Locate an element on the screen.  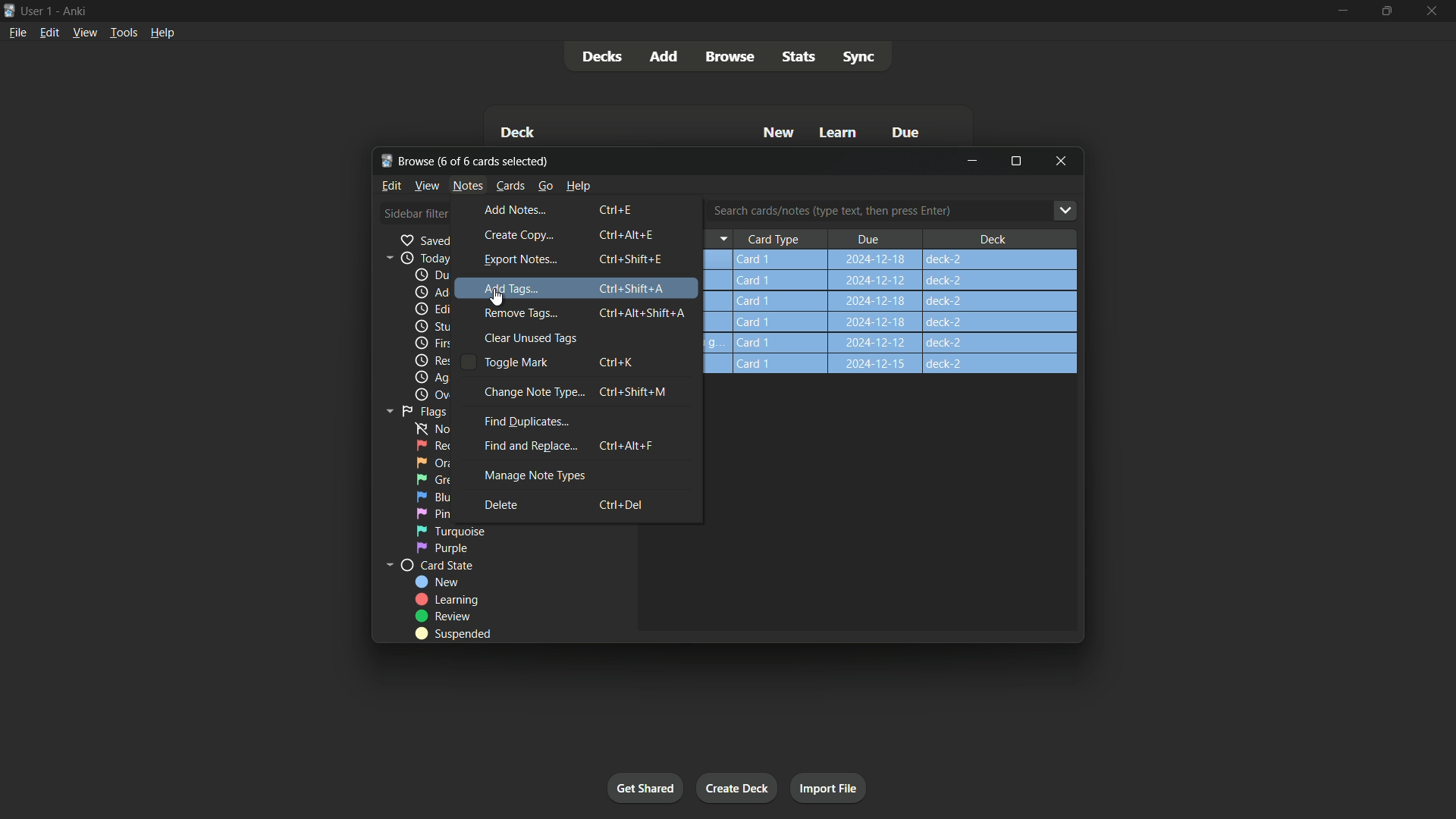
Due is located at coordinates (903, 132).